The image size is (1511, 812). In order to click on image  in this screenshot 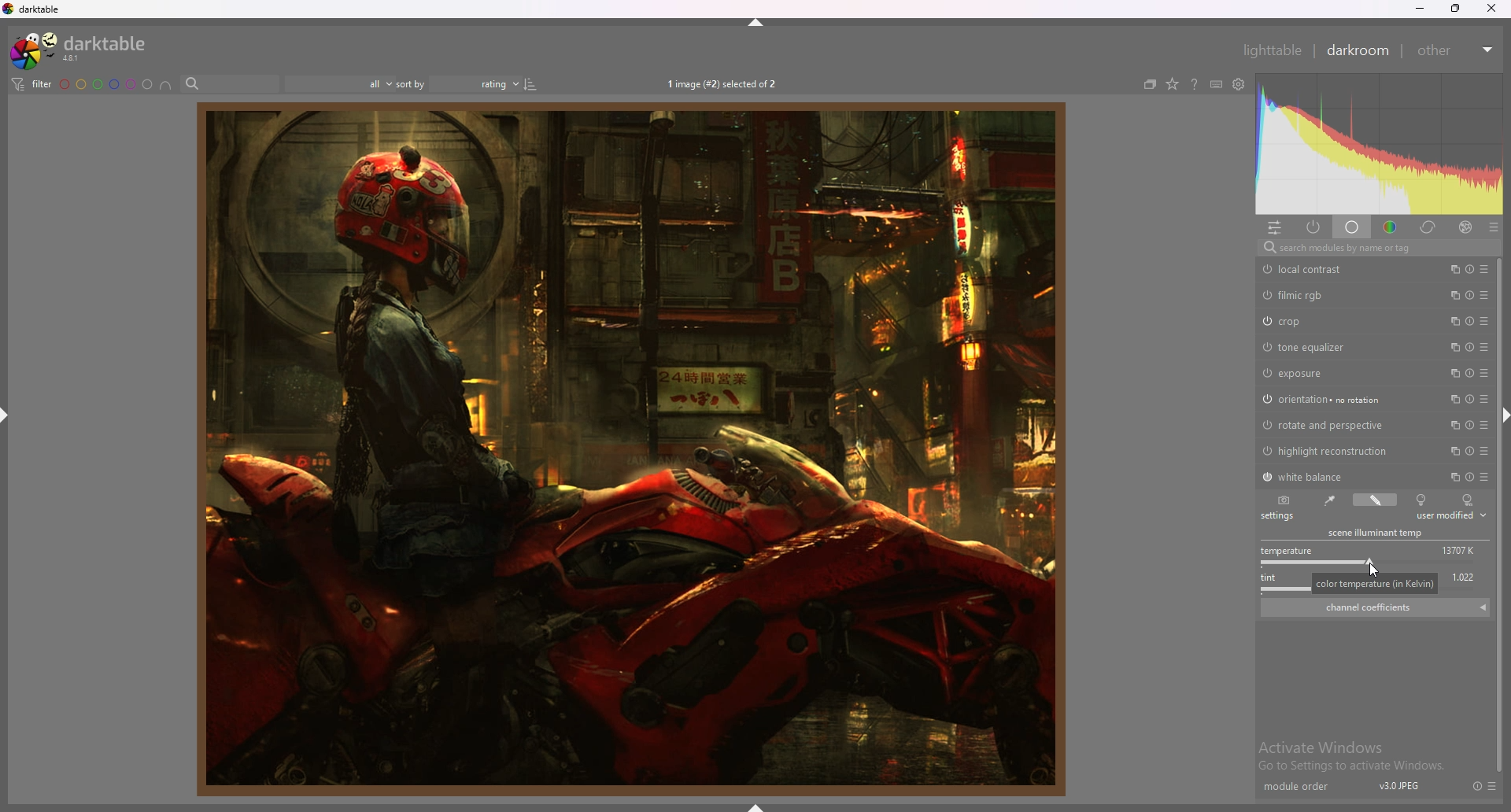, I will do `click(626, 448)`.